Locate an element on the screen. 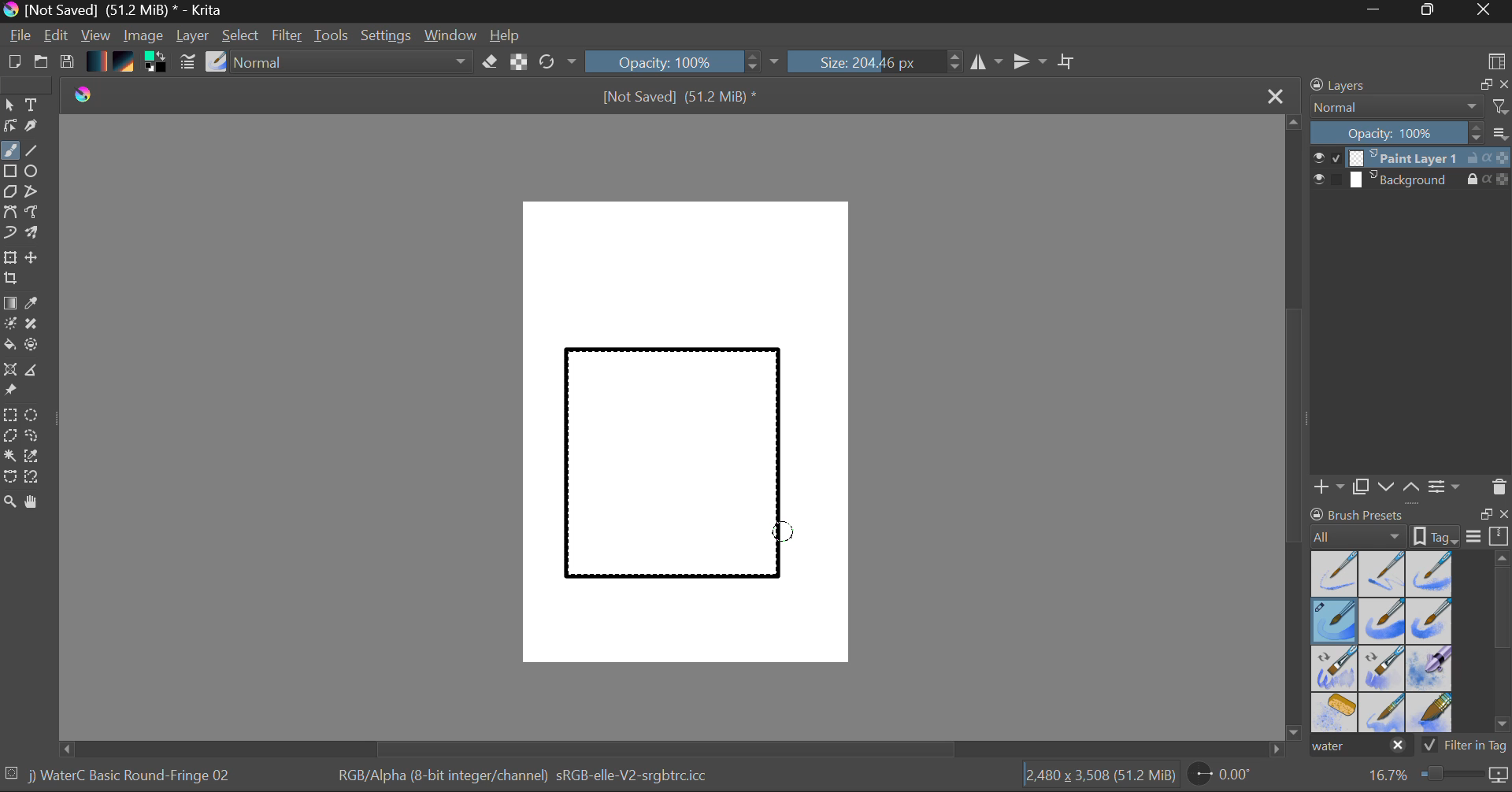  Multibrush Tool is located at coordinates (33, 235).